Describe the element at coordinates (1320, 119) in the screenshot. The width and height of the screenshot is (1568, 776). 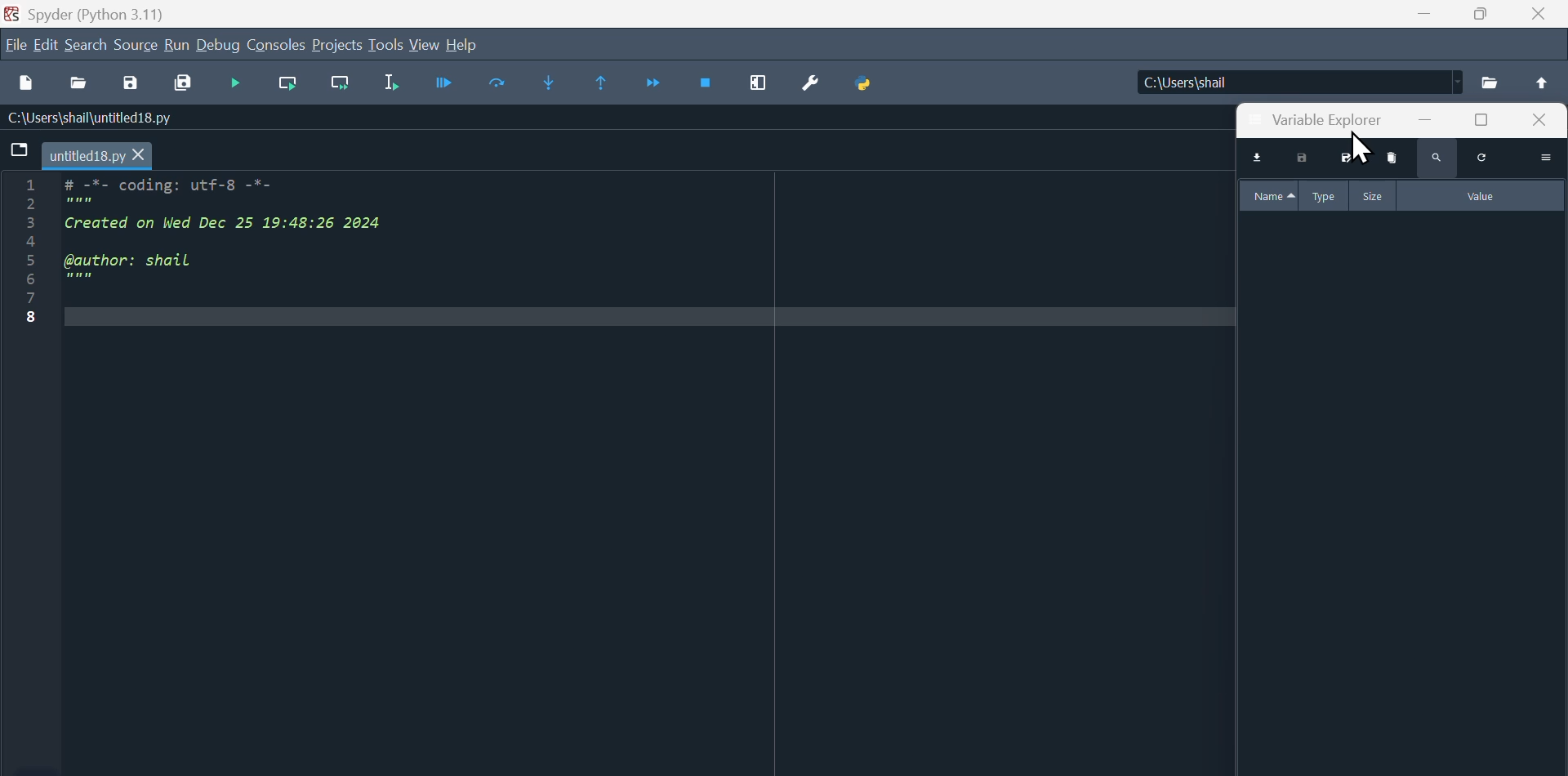
I see `variable explorer` at that location.